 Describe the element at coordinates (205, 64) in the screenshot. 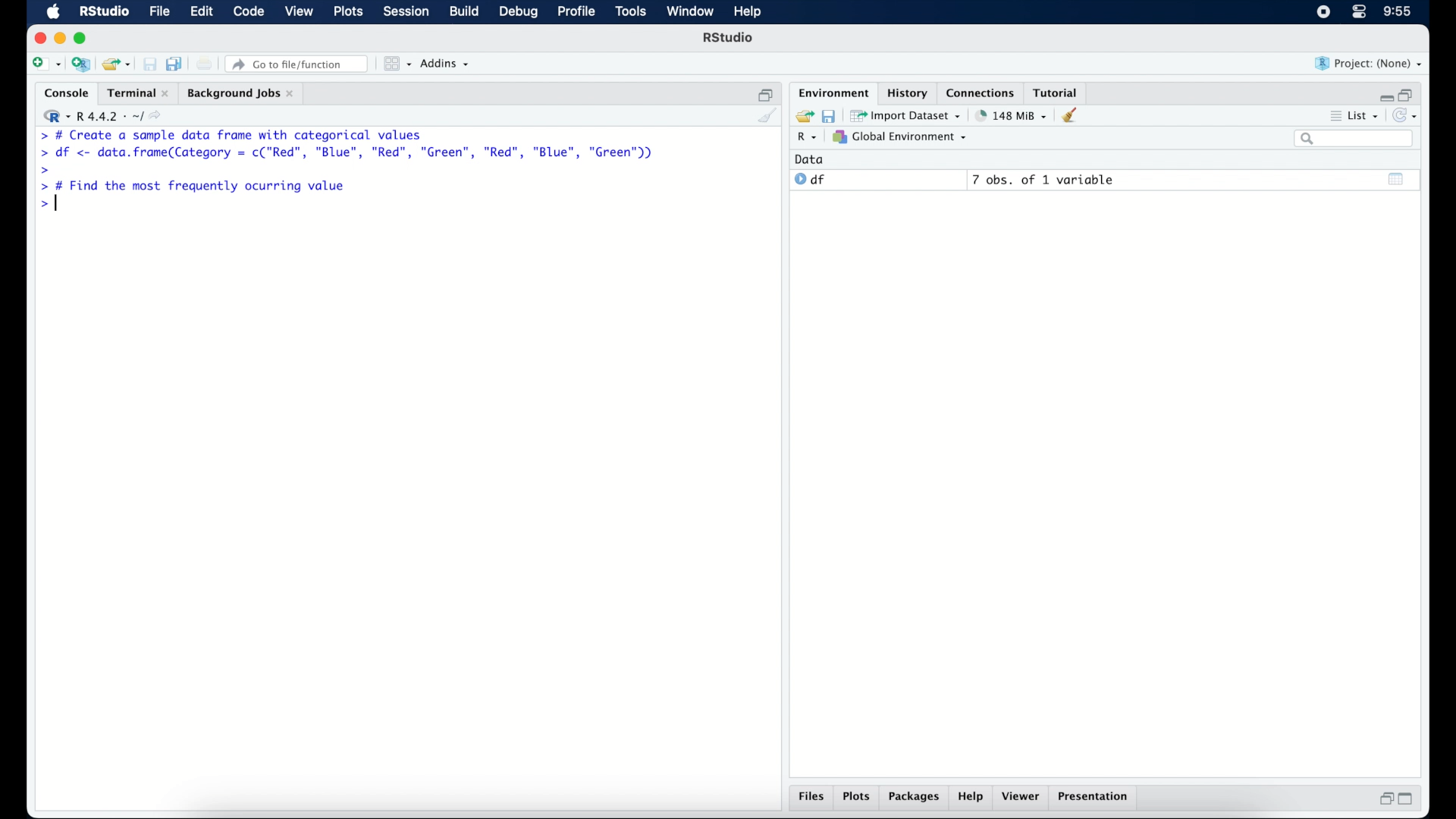

I see `print` at that location.